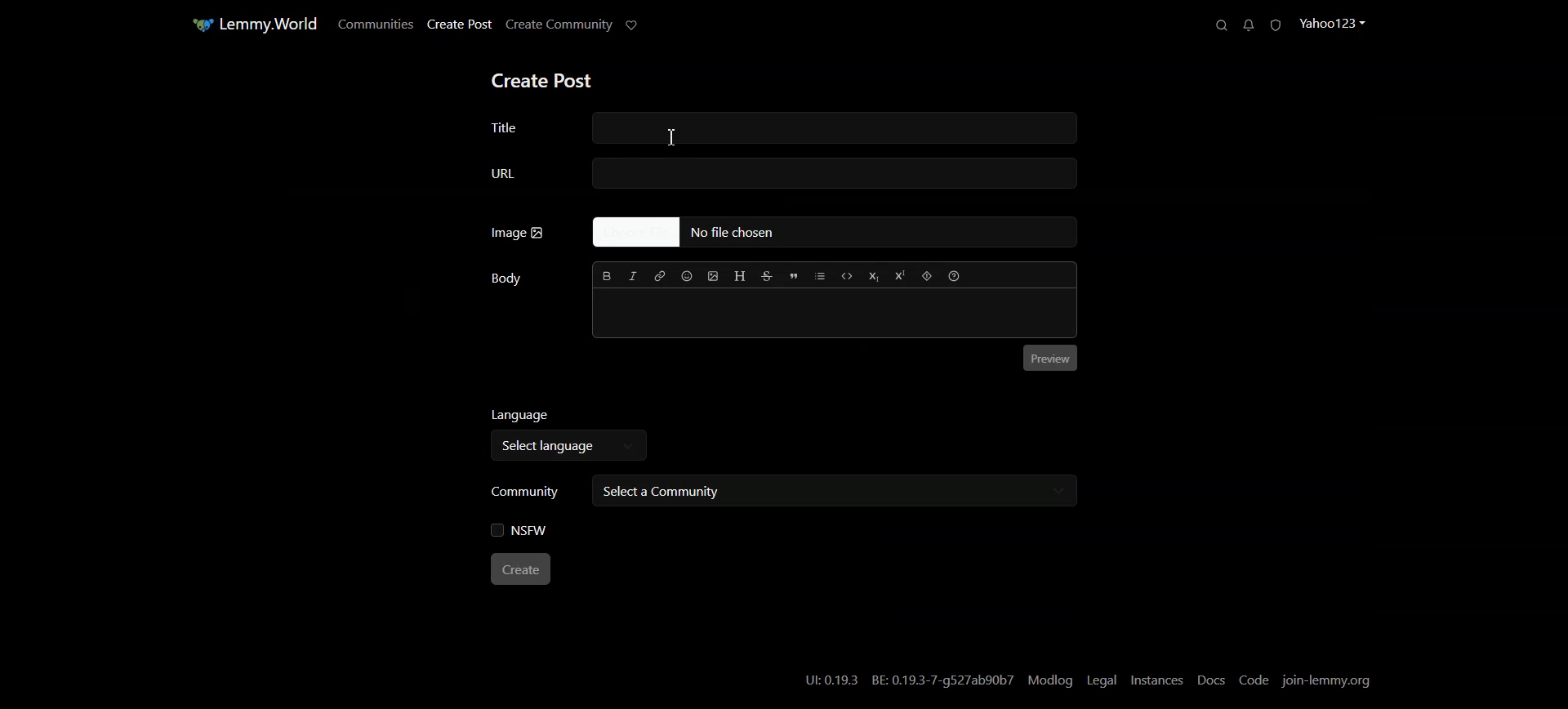  What do you see at coordinates (768, 276) in the screenshot?
I see `Strikethrough` at bounding box center [768, 276].